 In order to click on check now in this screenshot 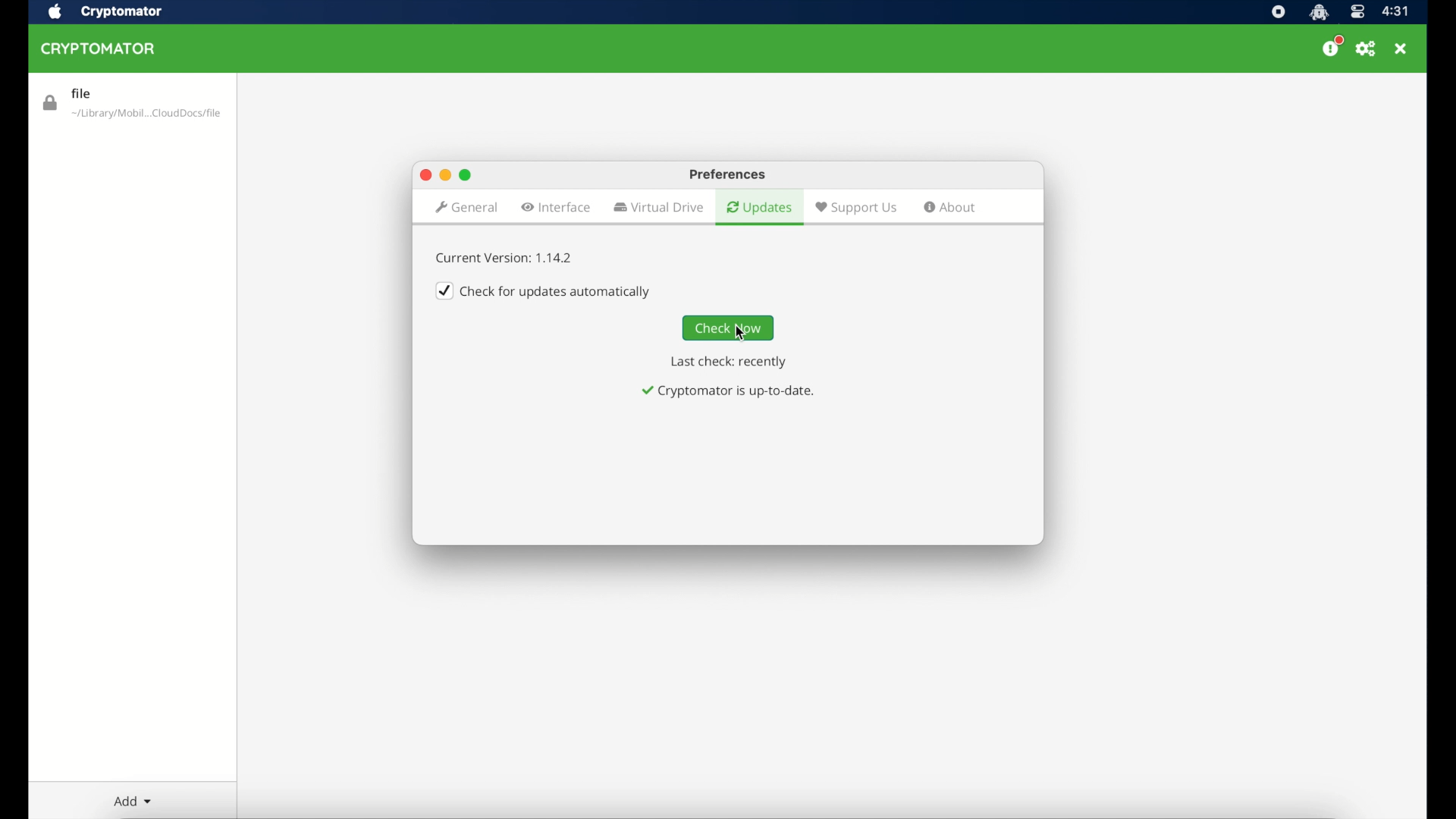, I will do `click(729, 328)`.